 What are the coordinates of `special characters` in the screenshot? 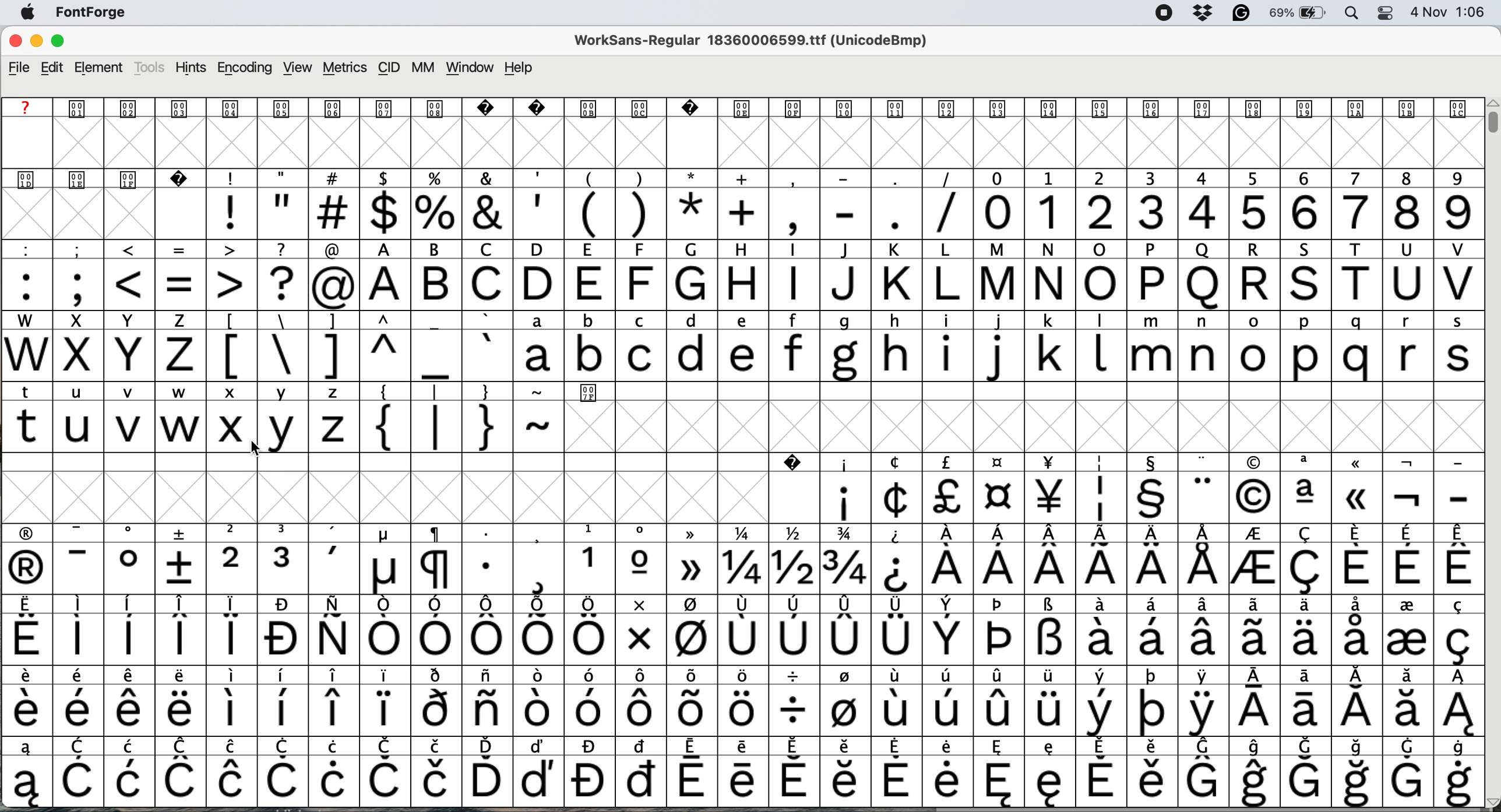 It's located at (739, 533).